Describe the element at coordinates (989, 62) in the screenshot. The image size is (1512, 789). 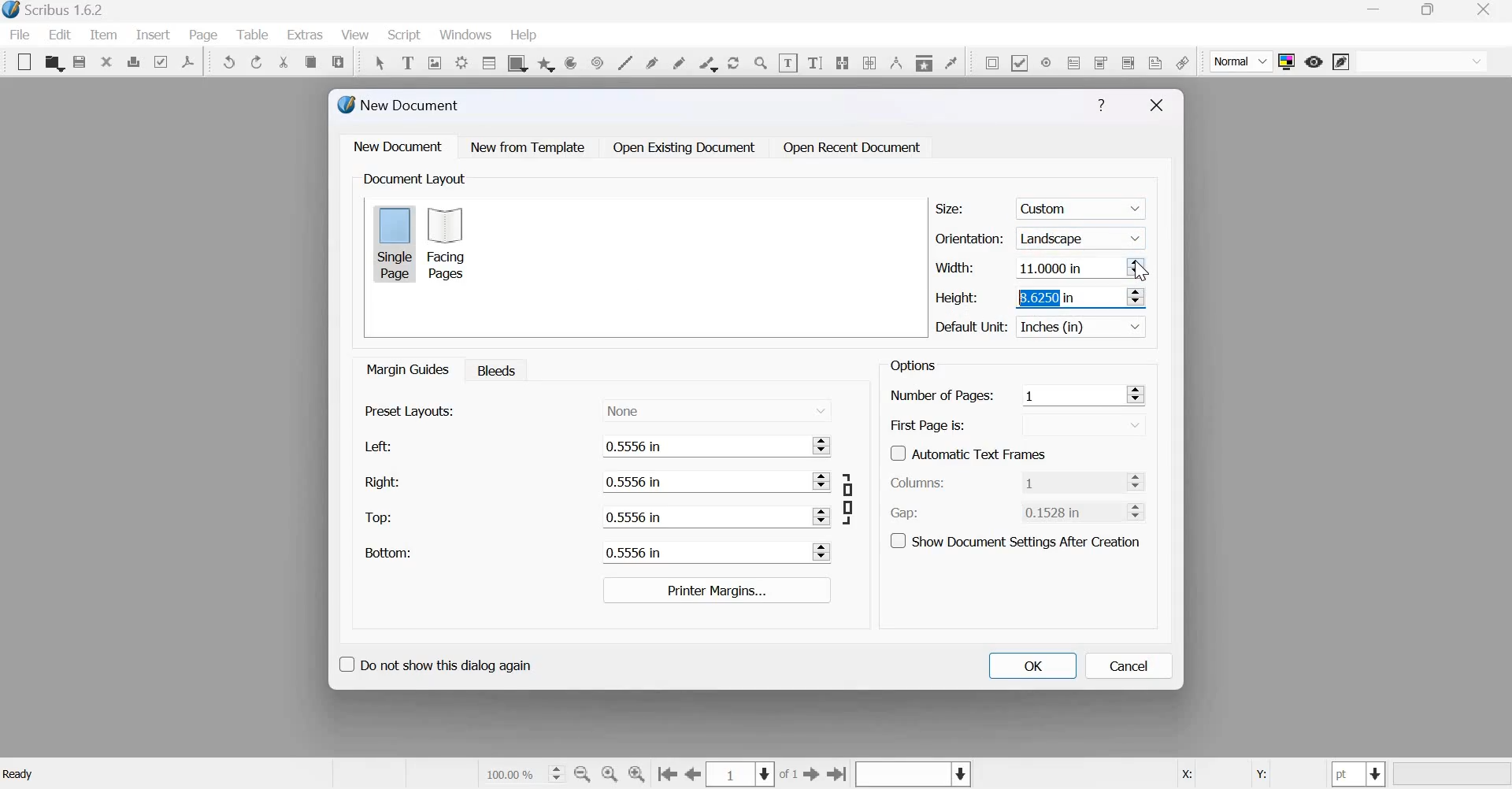
I see `PDF push button` at that location.